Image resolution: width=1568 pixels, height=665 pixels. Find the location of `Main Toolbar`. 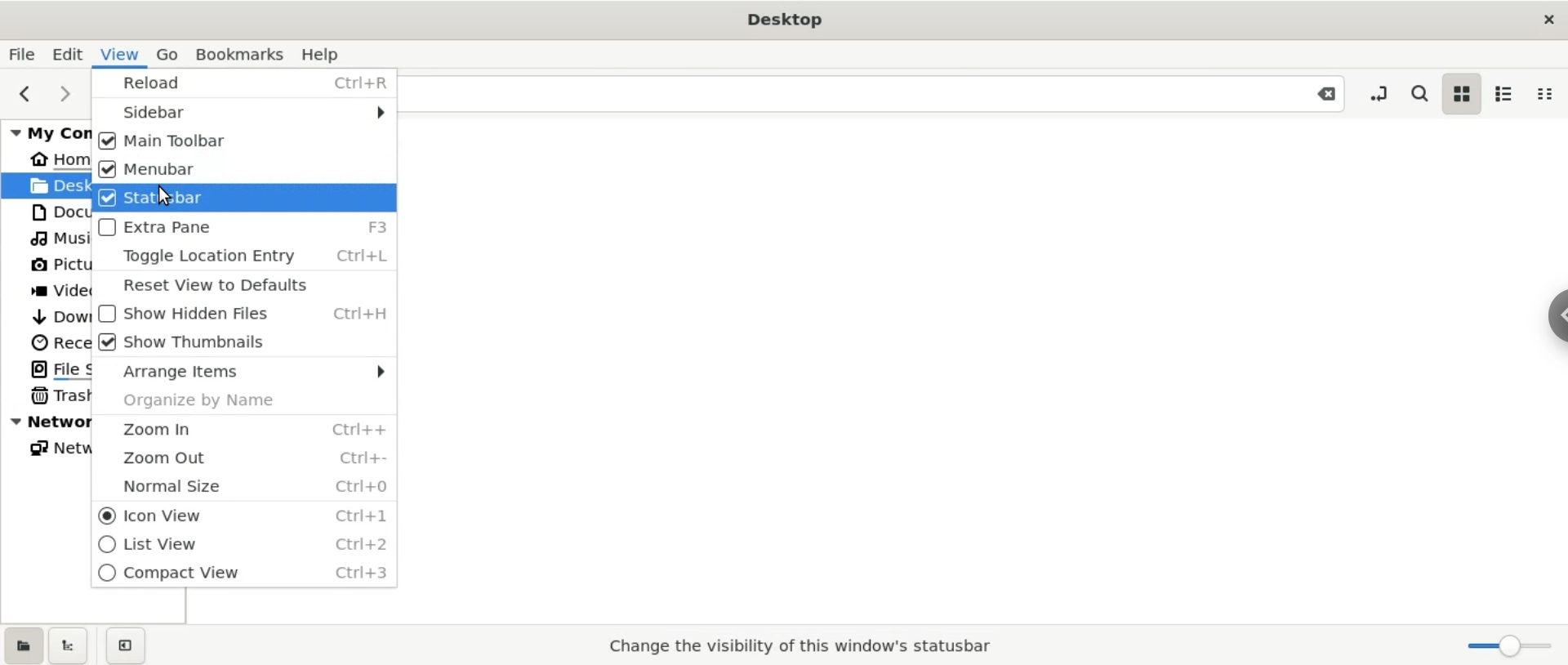

Main Toolbar is located at coordinates (241, 141).